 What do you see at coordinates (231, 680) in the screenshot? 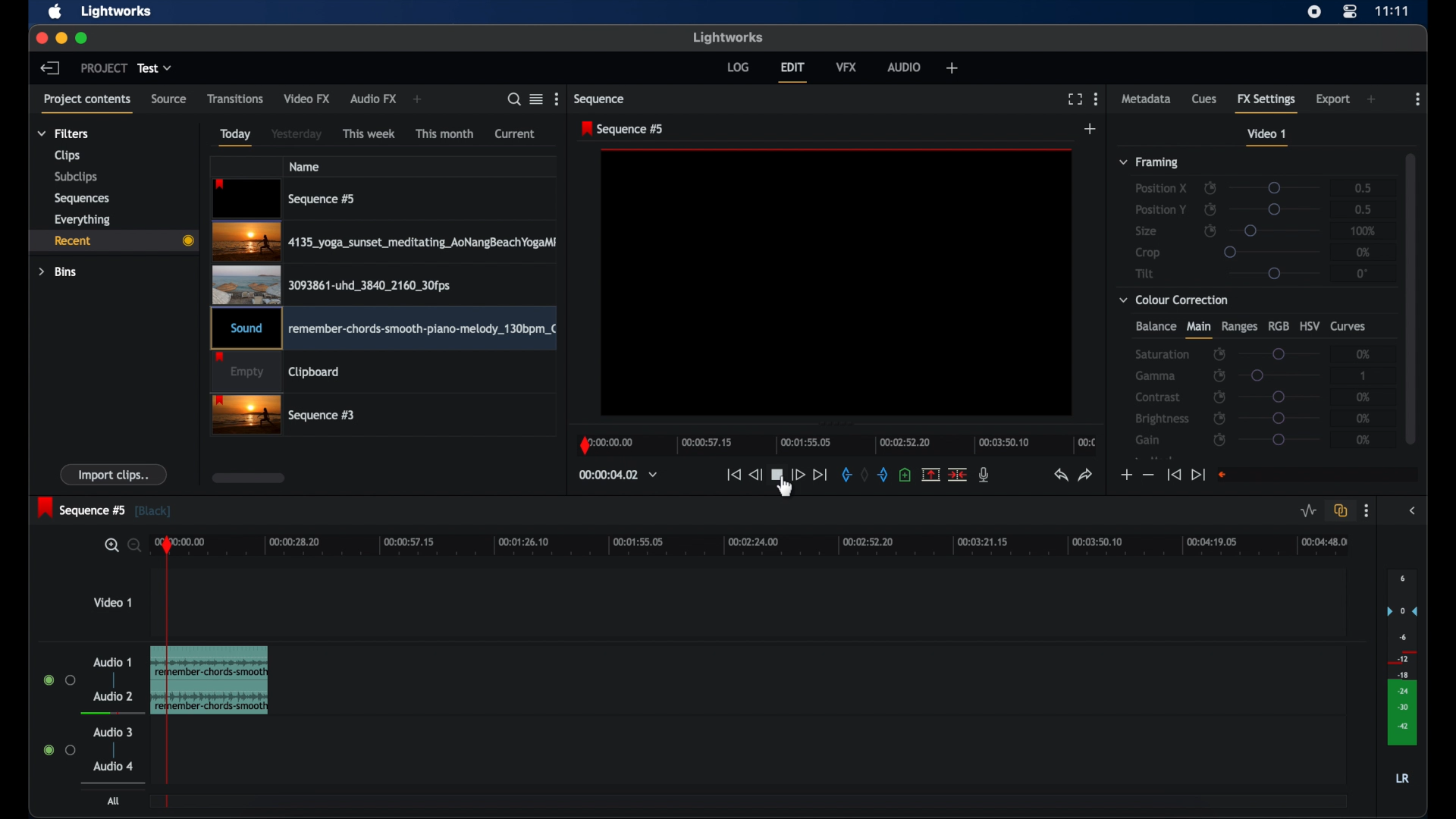
I see `audio clip` at bounding box center [231, 680].